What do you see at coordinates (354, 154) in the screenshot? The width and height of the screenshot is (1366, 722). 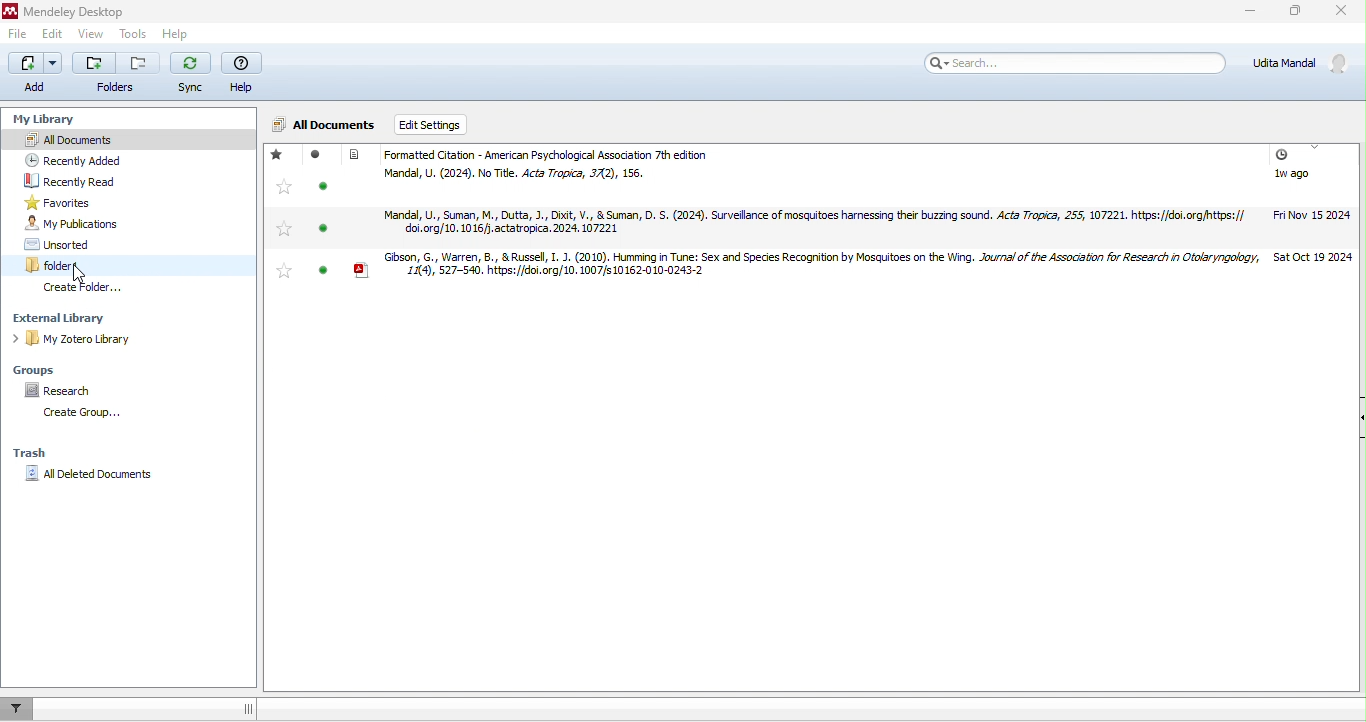 I see `Document logo` at bounding box center [354, 154].